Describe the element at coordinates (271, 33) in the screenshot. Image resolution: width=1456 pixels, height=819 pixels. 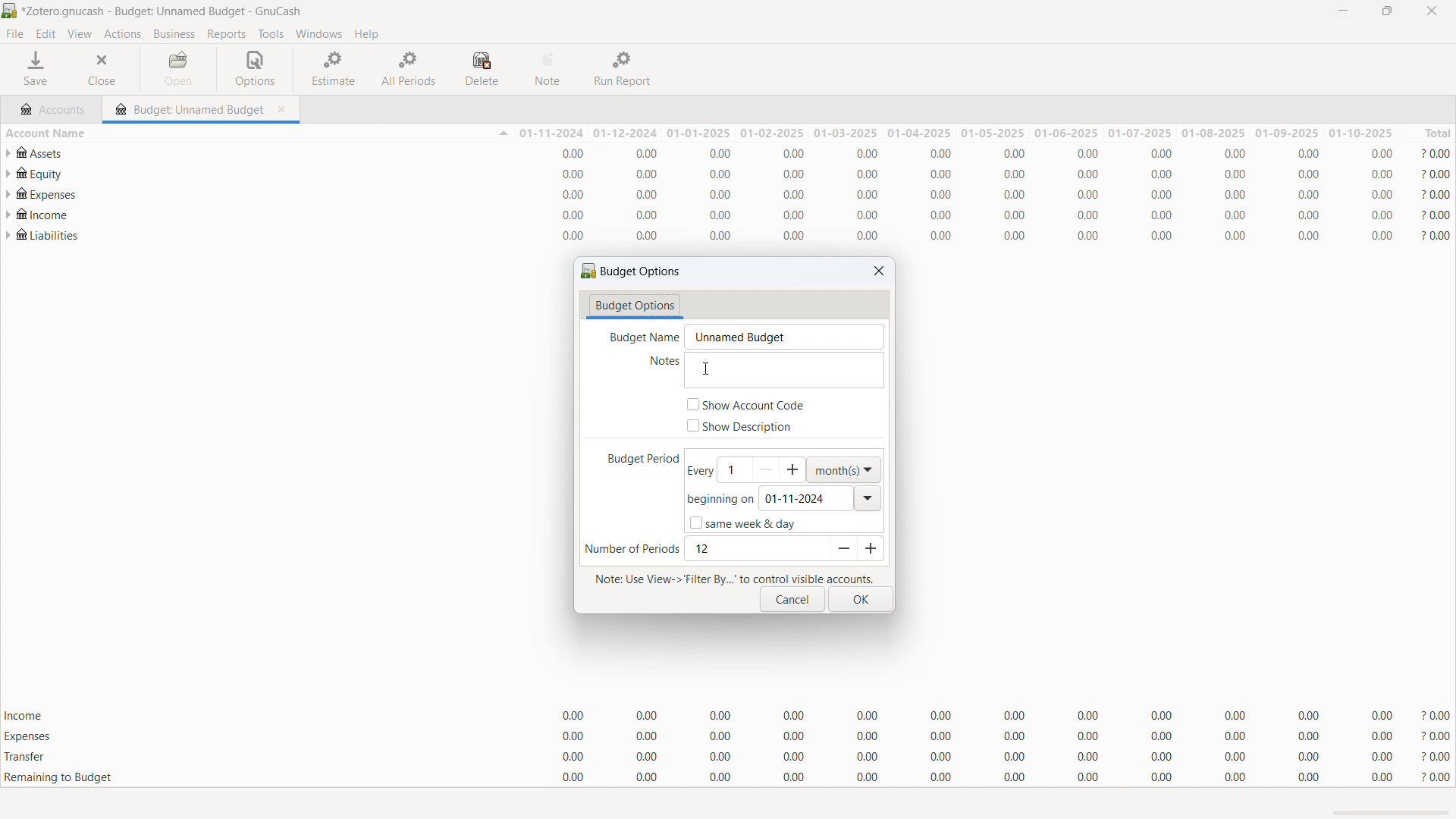
I see `tools` at that location.